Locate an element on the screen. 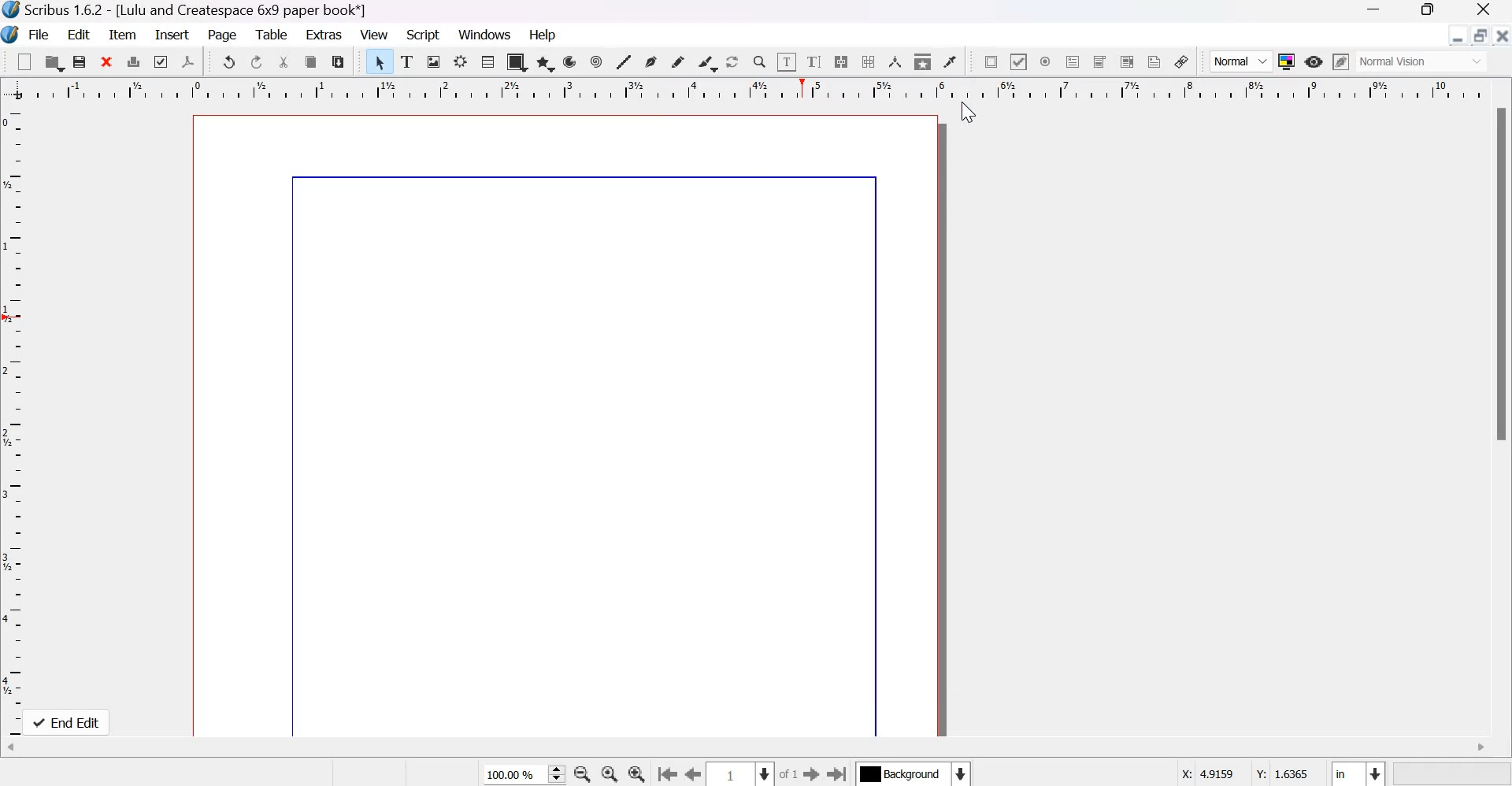 This screenshot has width=1512, height=786. PDF push button is located at coordinates (989, 61).